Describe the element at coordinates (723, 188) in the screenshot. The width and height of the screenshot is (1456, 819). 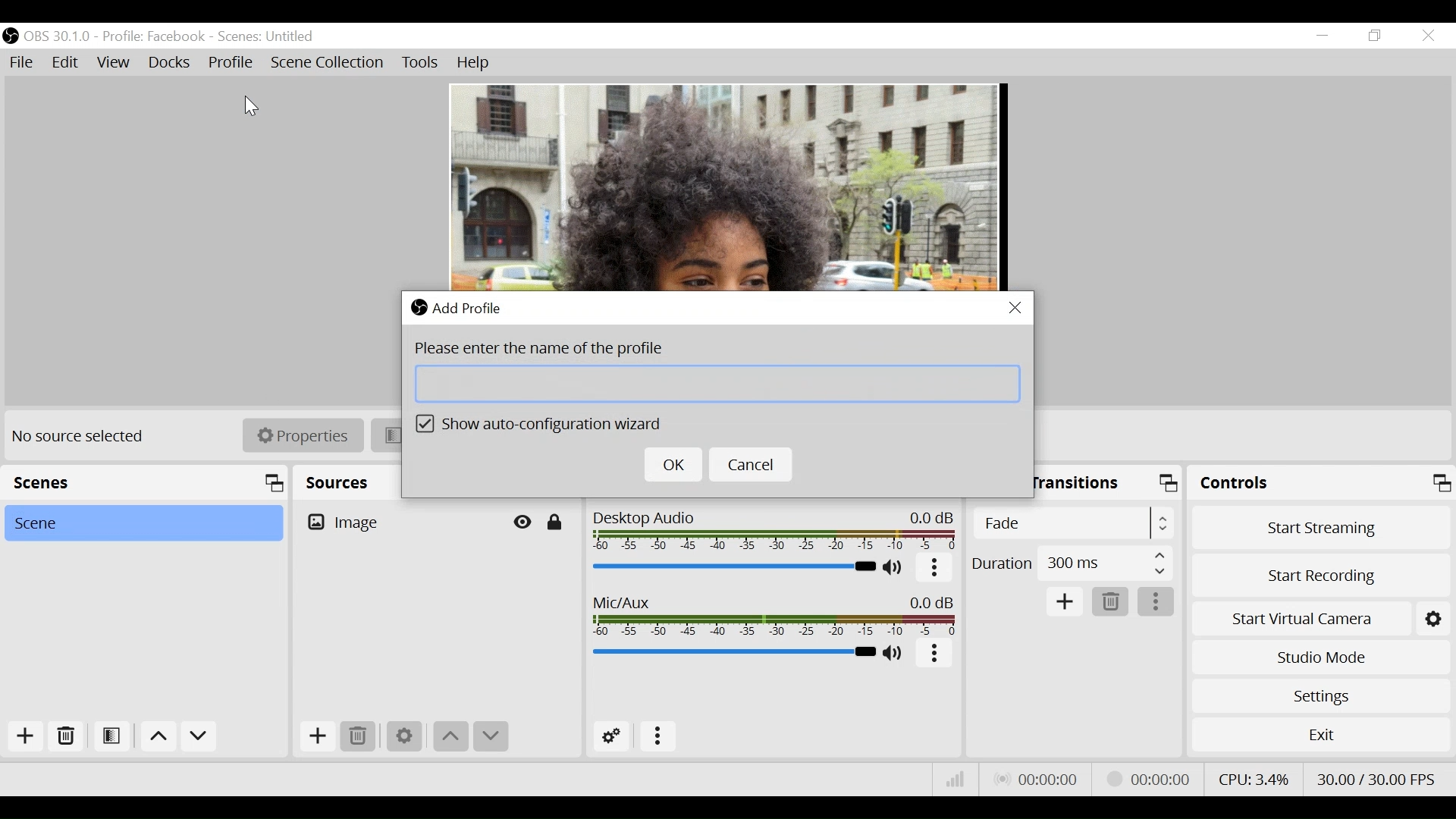
I see `Image` at that location.